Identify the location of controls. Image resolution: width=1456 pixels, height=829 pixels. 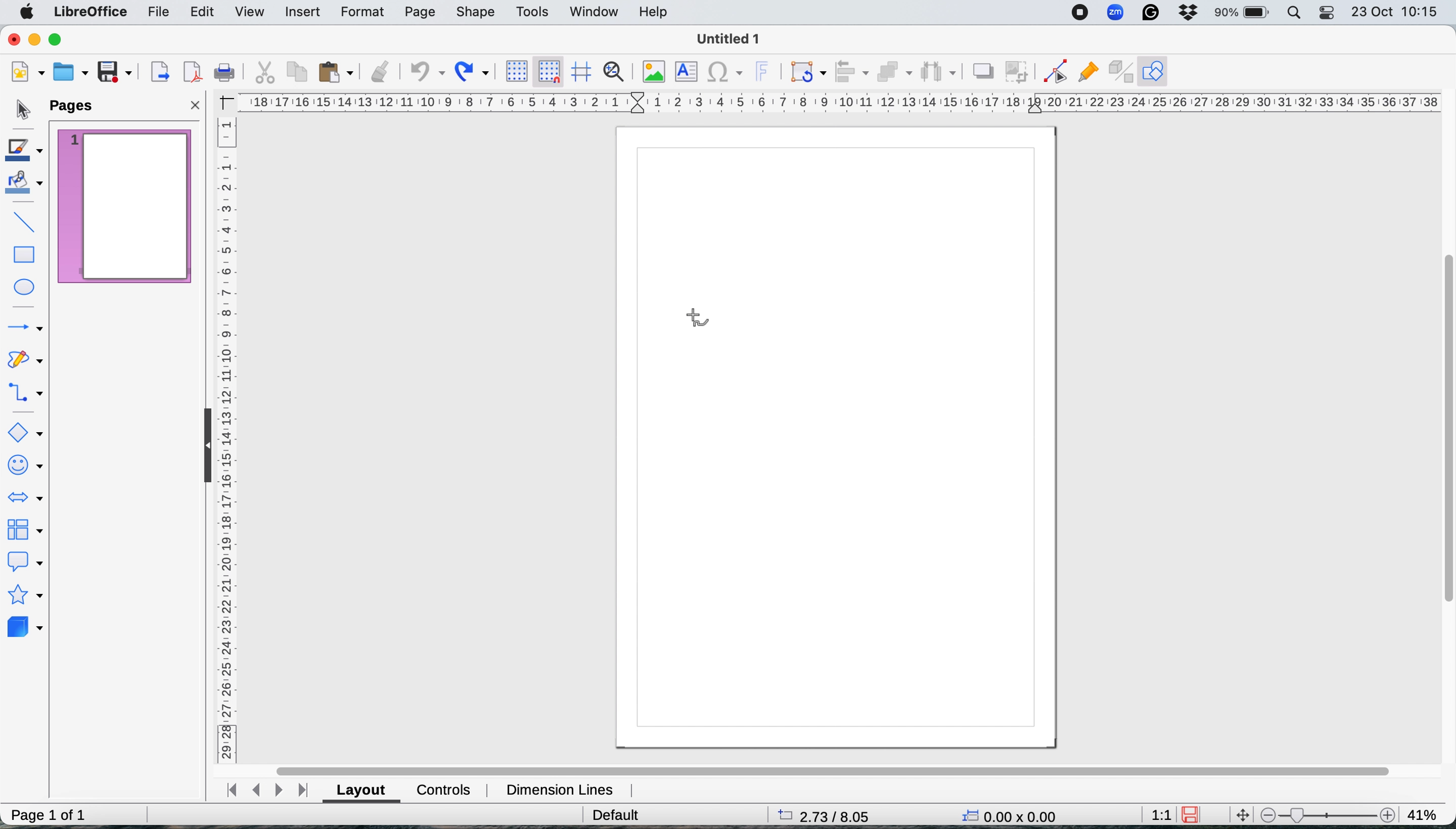
(444, 791).